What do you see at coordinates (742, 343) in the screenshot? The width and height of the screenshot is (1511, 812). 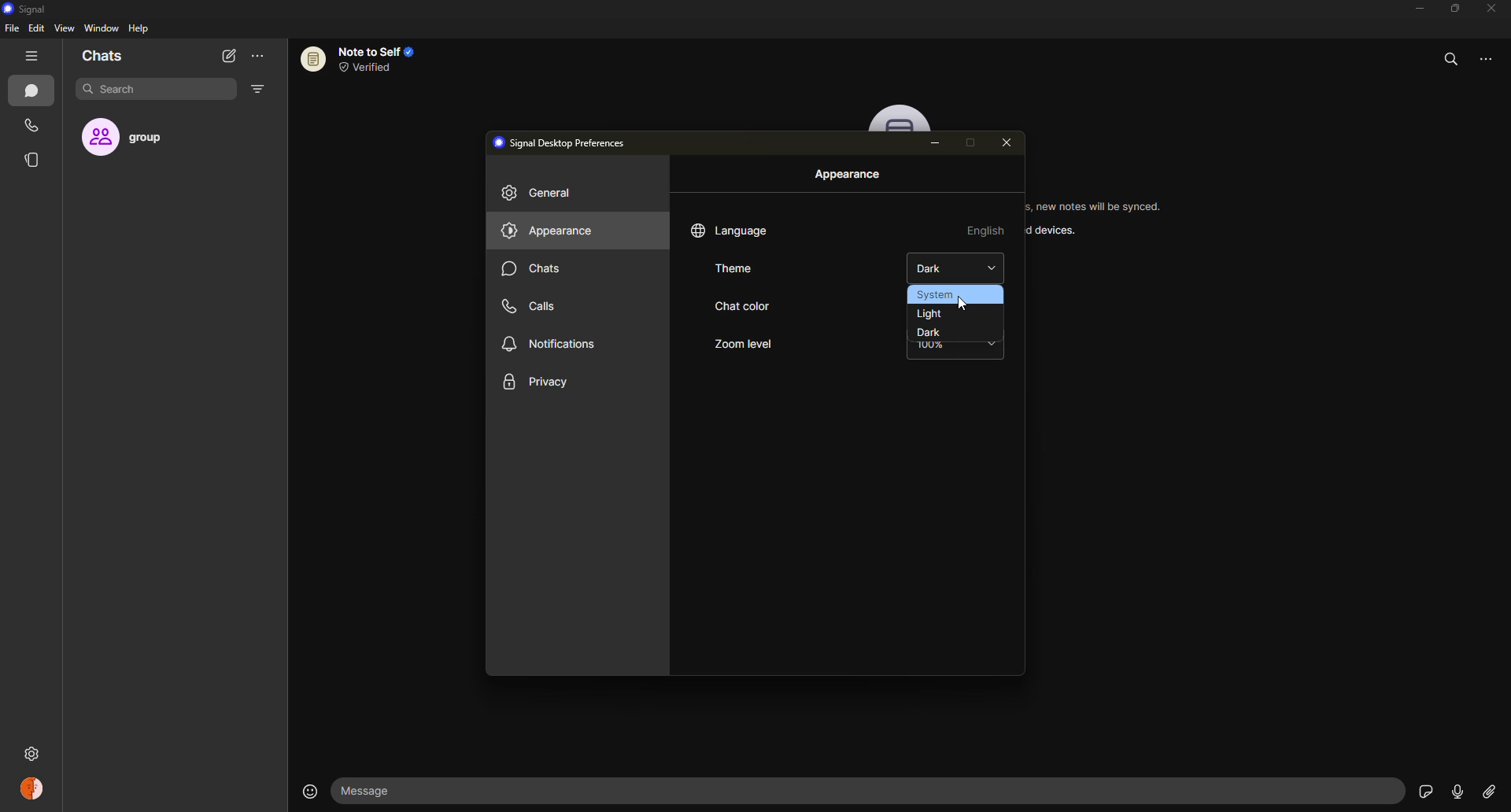 I see `zoom level` at bounding box center [742, 343].